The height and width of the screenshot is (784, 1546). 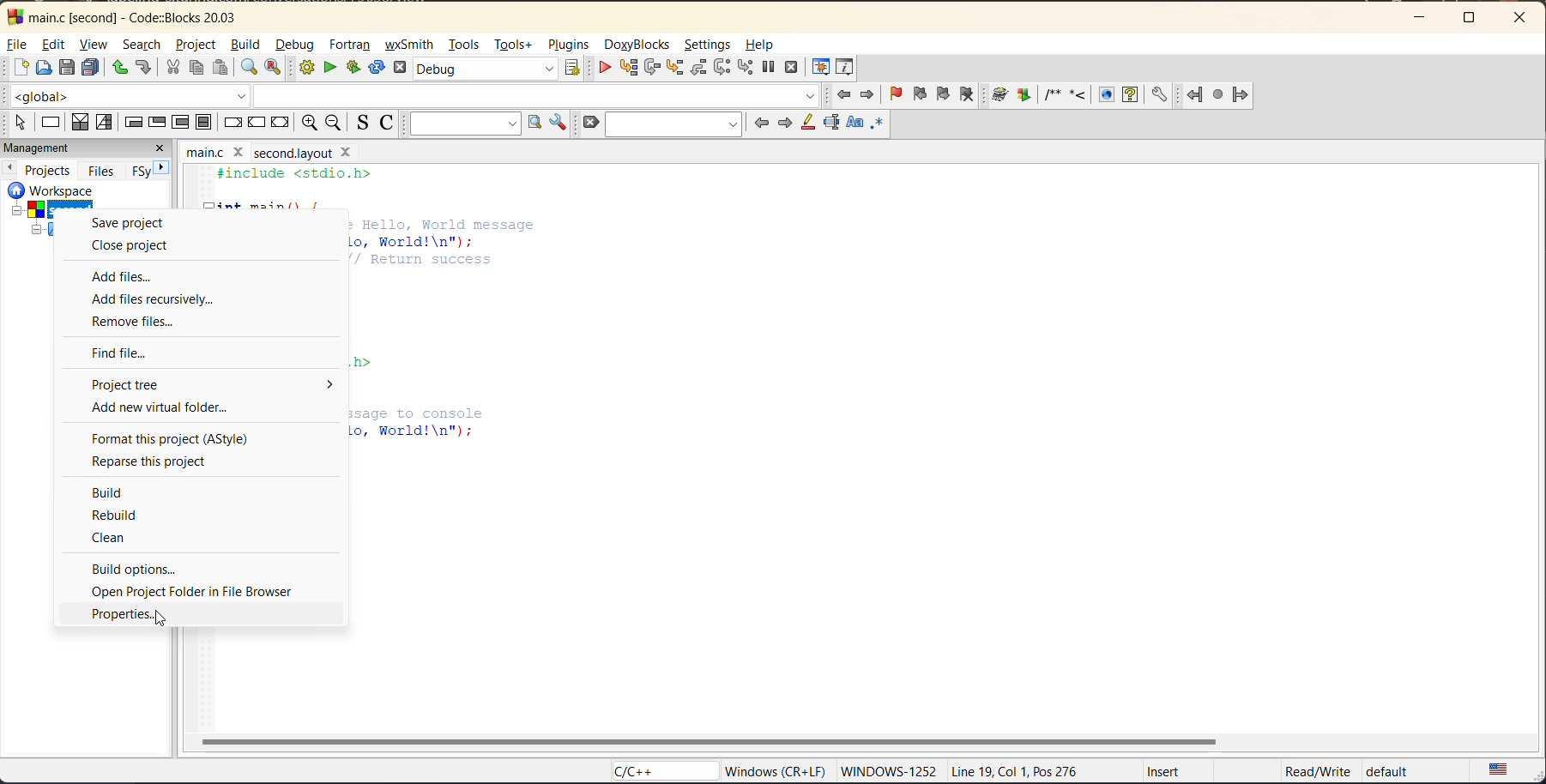 I want to click on previous bookmark, so click(x=918, y=91).